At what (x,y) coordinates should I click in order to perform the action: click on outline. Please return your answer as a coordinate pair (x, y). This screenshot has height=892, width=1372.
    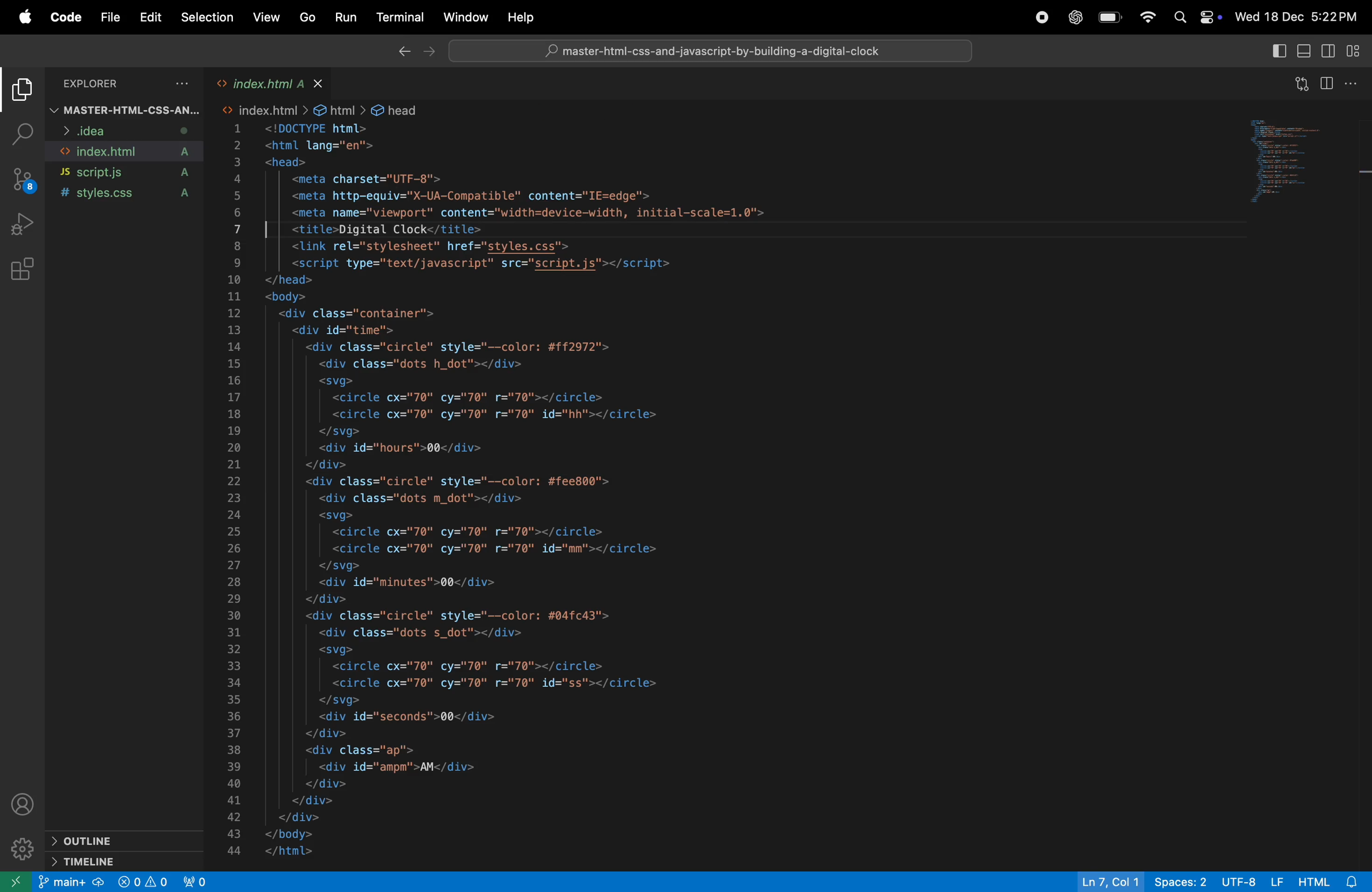
    Looking at the image, I should click on (126, 840).